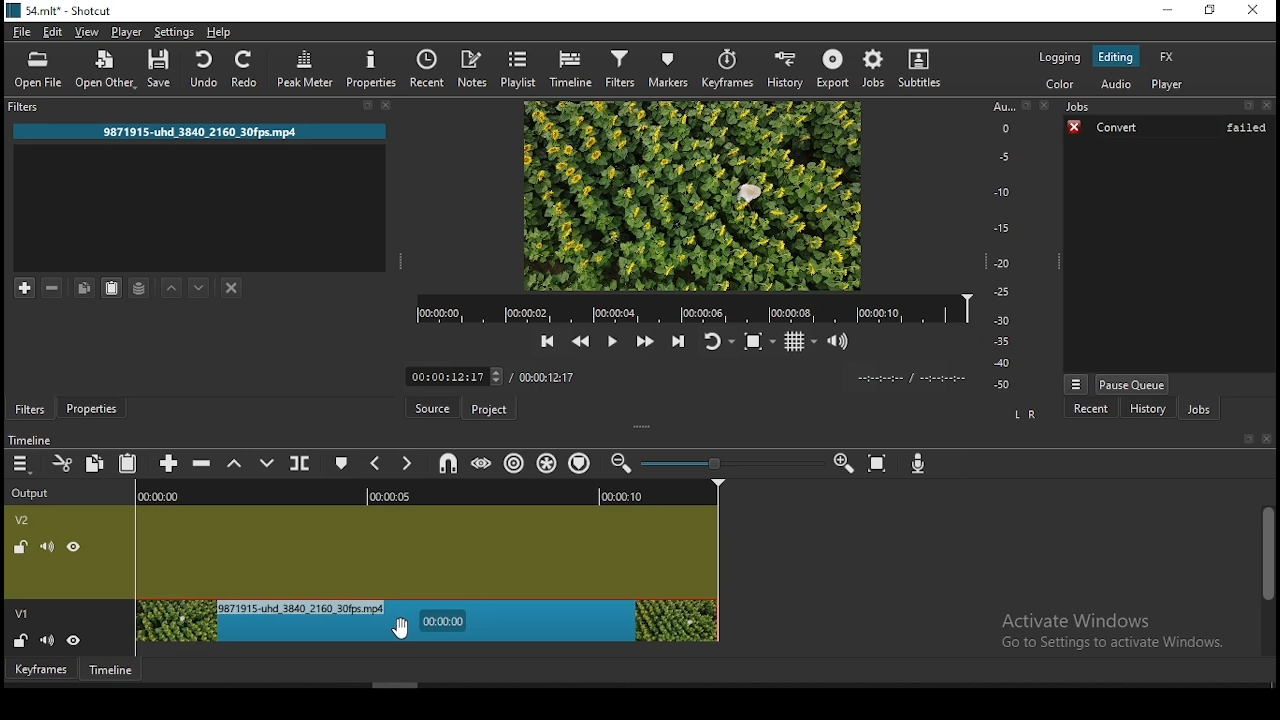 This screenshot has width=1280, height=720. I want to click on playlist, so click(520, 68).